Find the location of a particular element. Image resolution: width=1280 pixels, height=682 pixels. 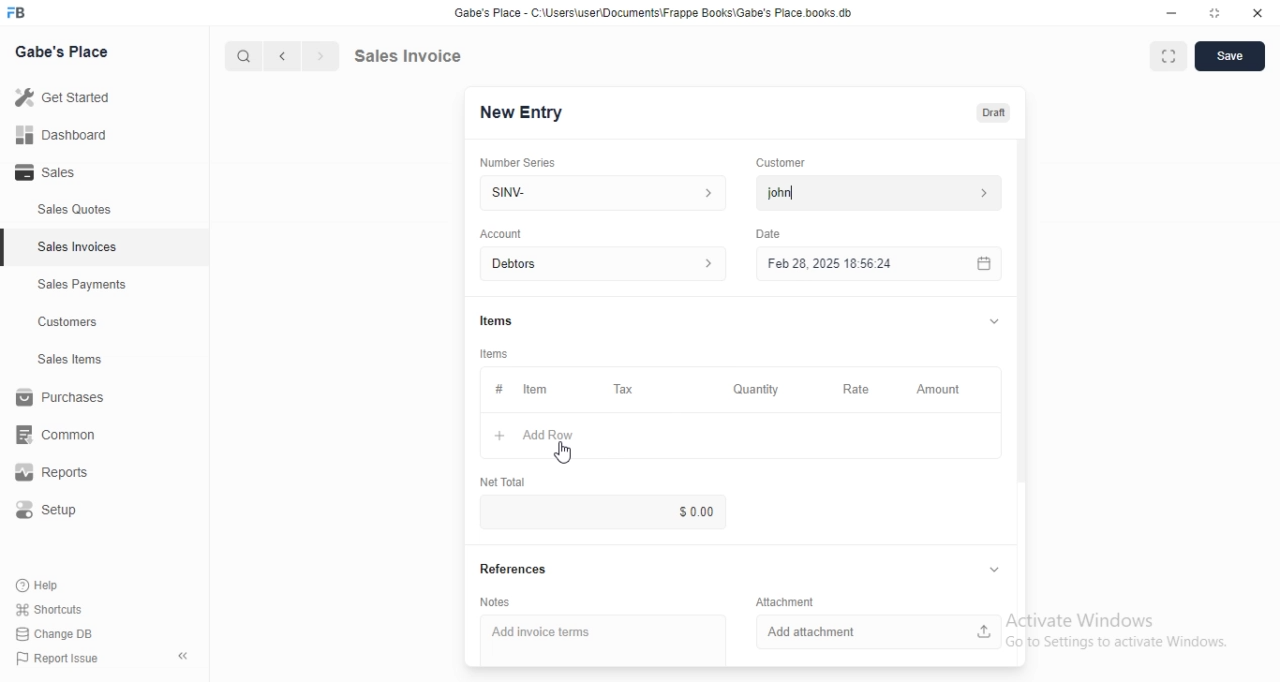

Rate is located at coordinates (853, 389).